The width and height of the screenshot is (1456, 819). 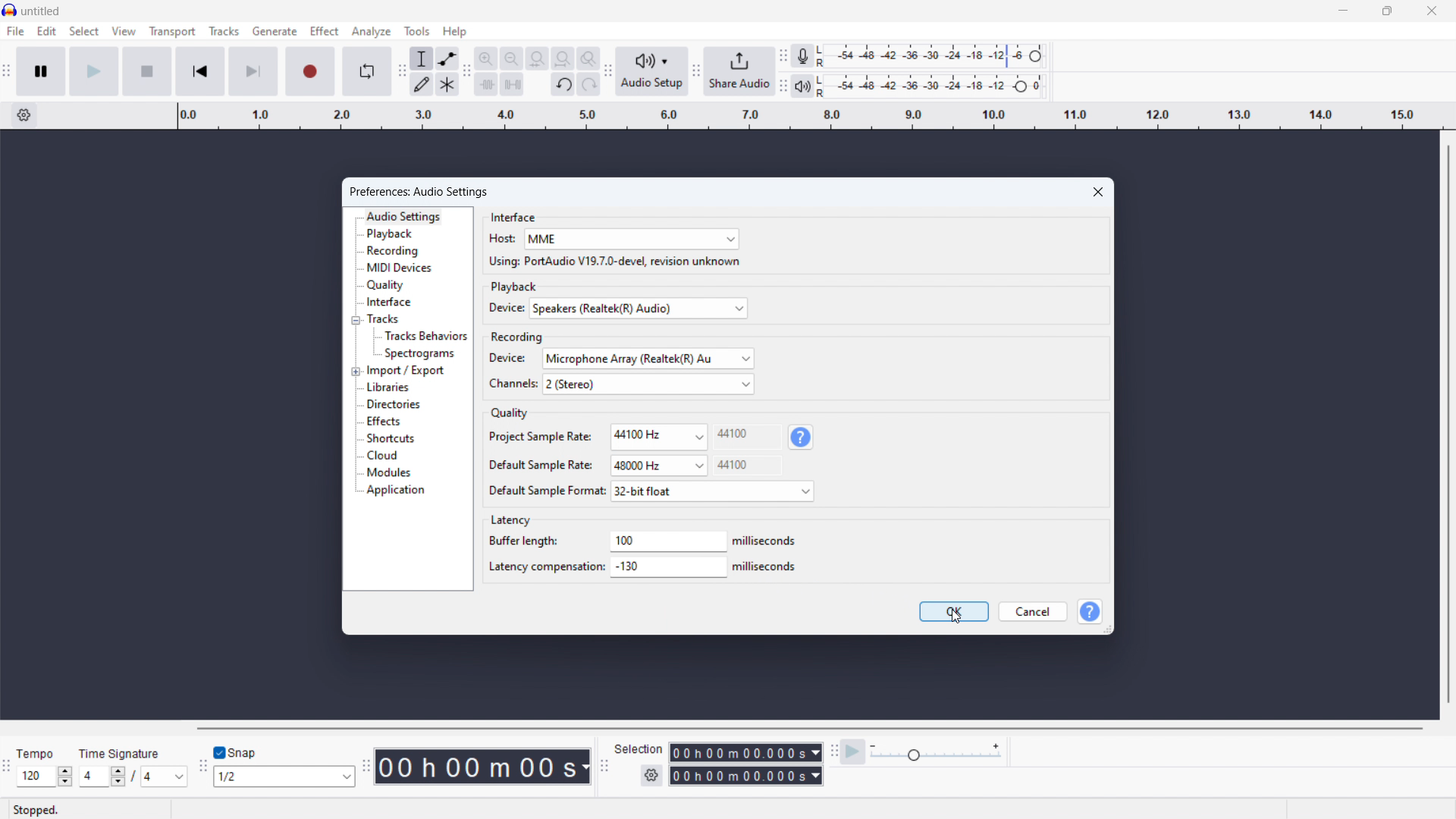 What do you see at coordinates (651, 775) in the screenshot?
I see `selection settings` at bounding box center [651, 775].